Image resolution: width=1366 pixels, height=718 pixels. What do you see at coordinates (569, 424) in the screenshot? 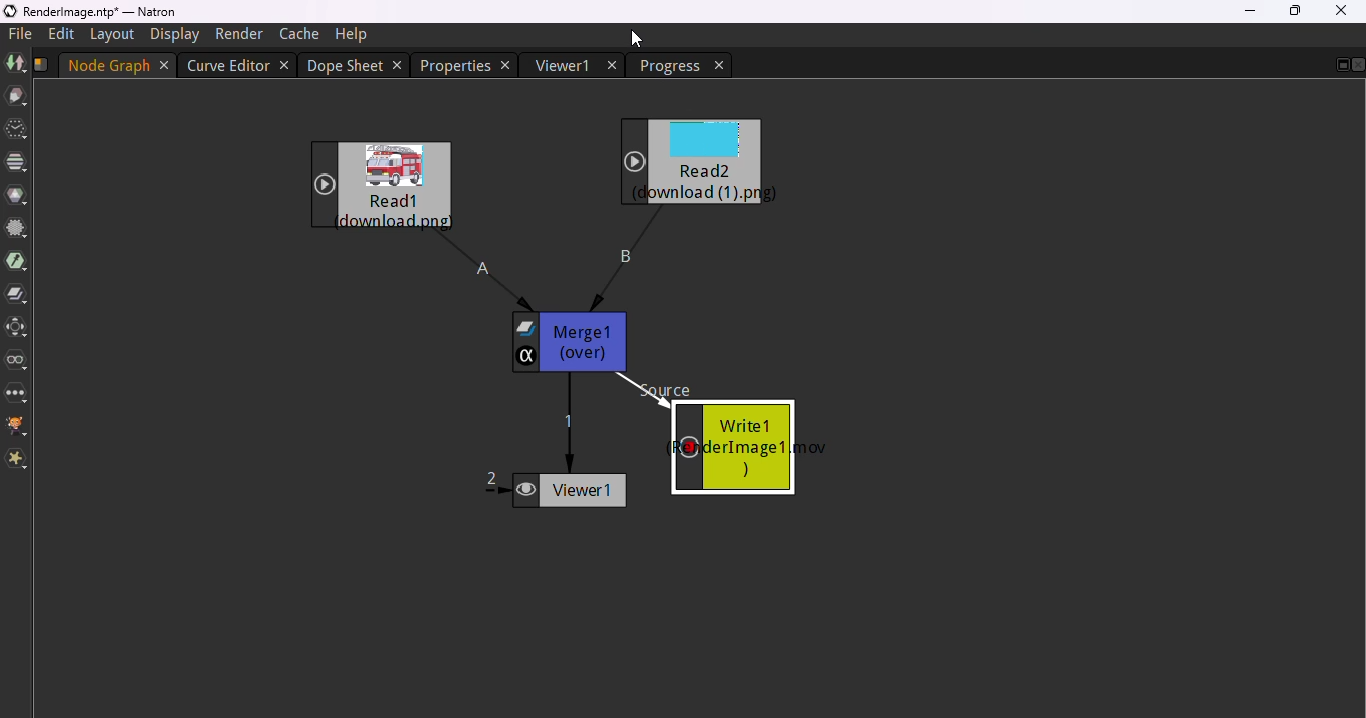
I see `connector 1` at bounding box center [569, 424].